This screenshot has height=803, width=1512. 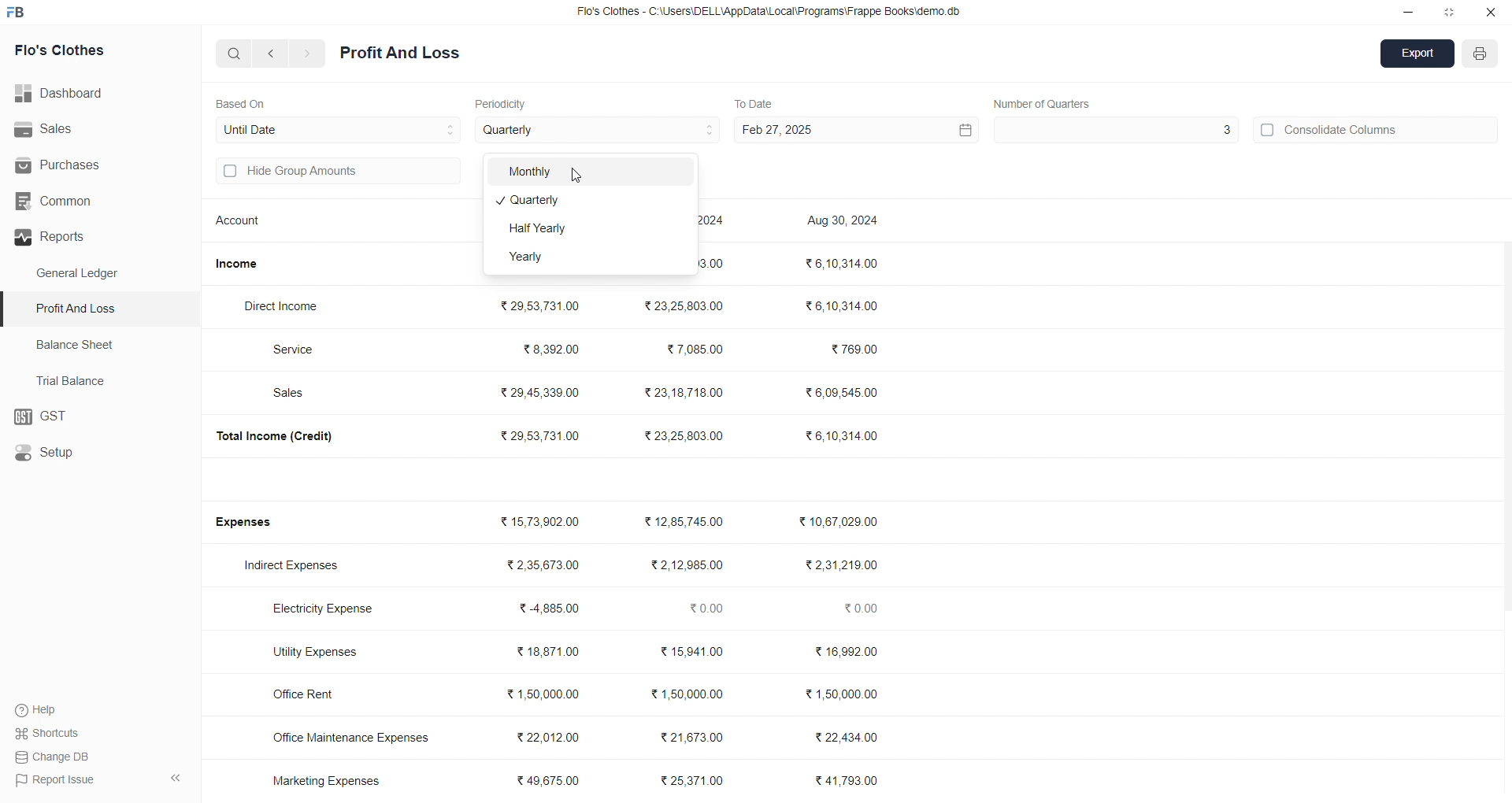 I want to click on Utility Expenses., so click(x=324, y=651).